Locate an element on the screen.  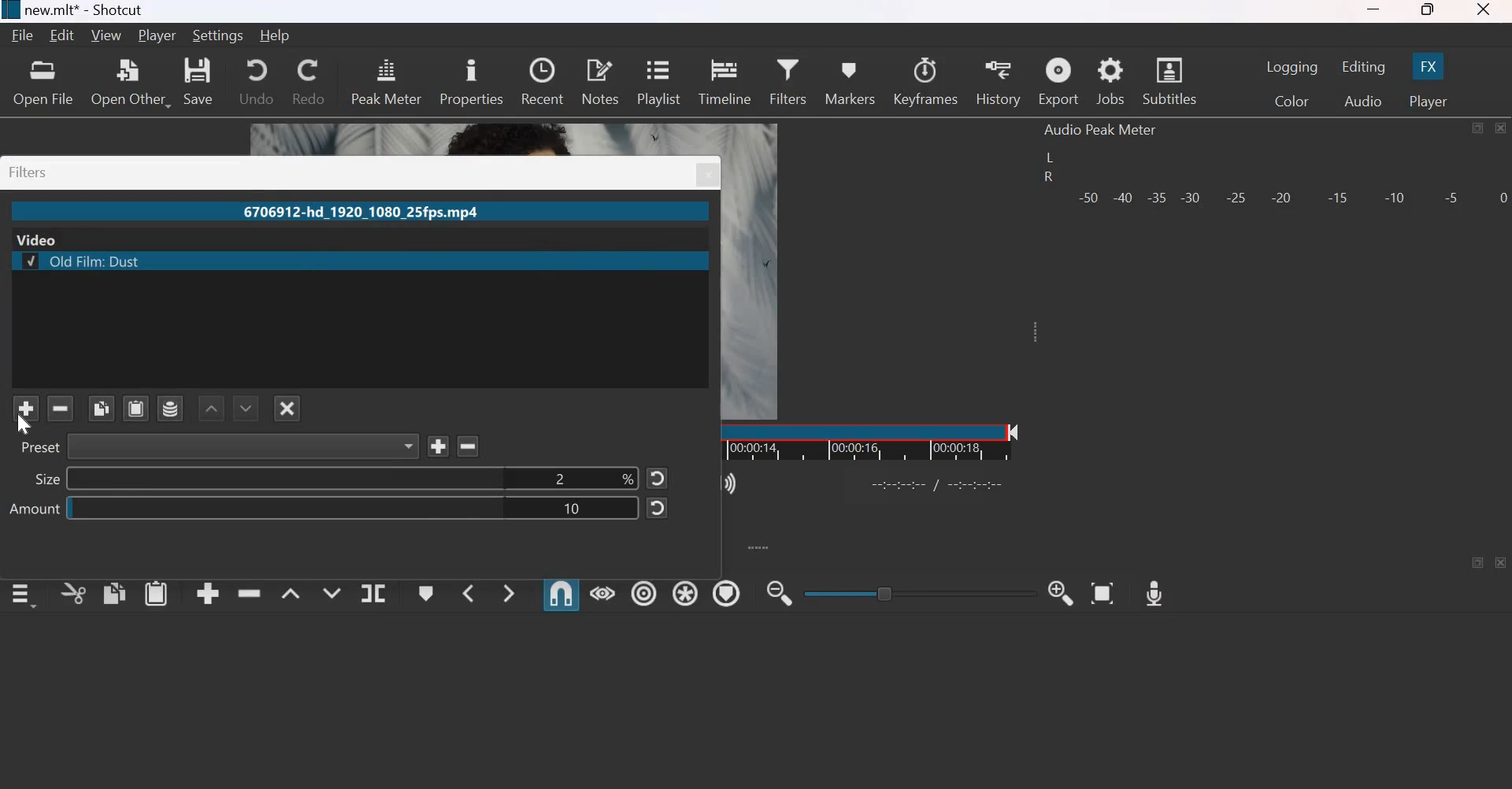
Move filter up is located at coordinates (213, 409).